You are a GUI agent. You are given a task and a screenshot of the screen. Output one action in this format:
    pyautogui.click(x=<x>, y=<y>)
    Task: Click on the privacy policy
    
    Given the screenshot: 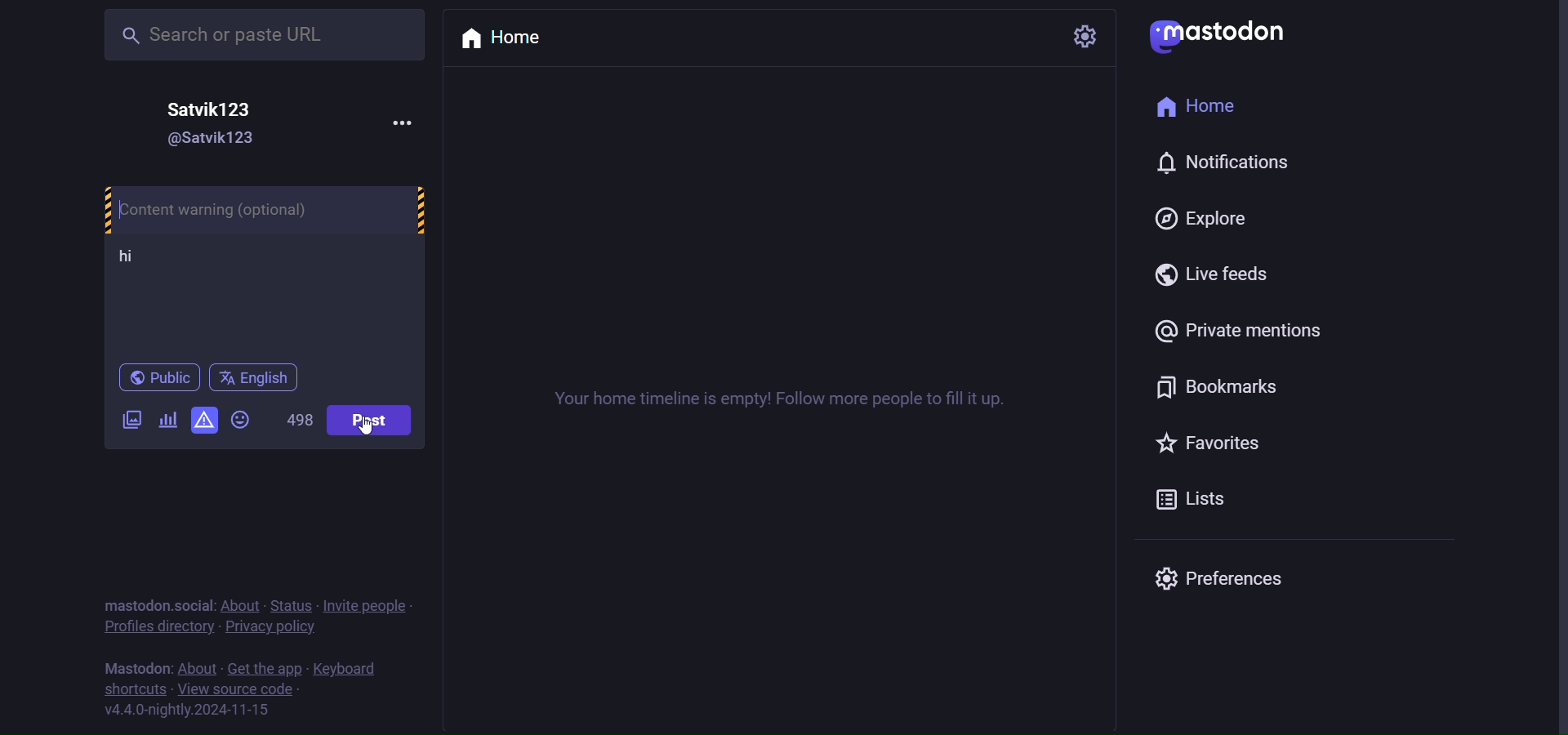 What is the action you would take?
    pyautogui.click(x=273, y=630)
    